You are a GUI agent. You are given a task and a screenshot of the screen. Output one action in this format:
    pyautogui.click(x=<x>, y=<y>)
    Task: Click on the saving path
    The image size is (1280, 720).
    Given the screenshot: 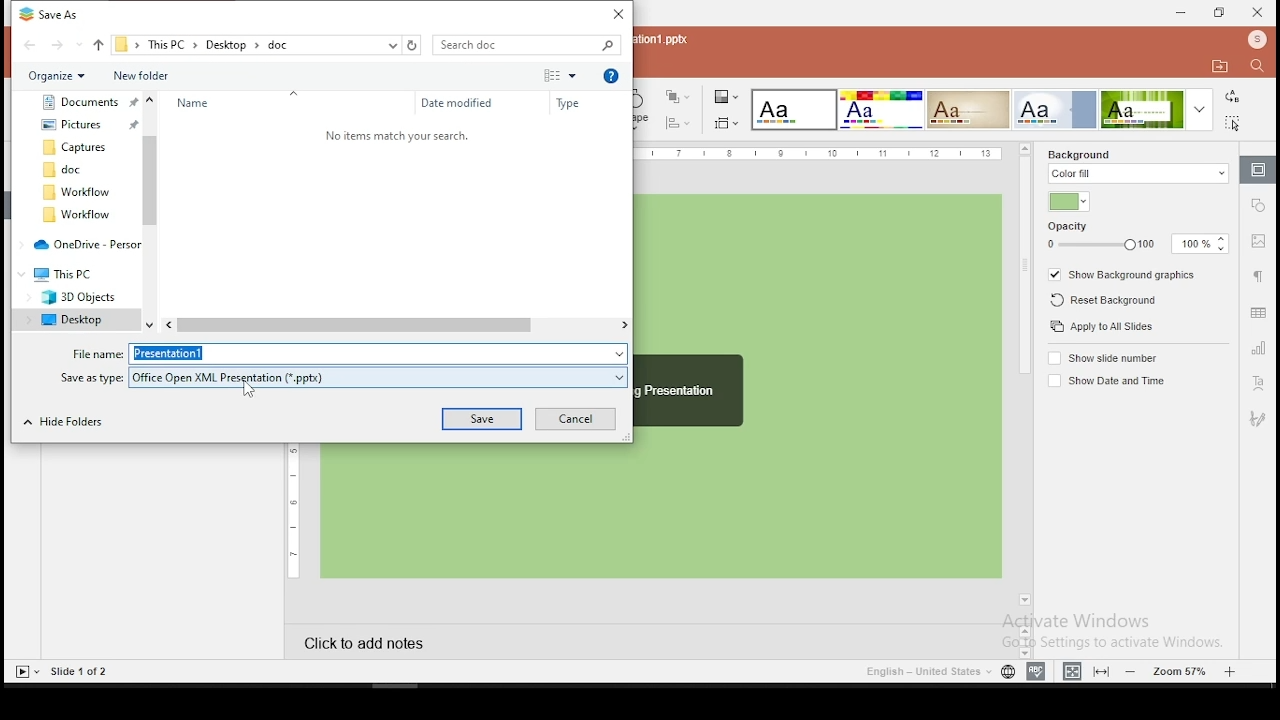 What is the action you would take?
    pyautogui.click(x=247, y=44)
    